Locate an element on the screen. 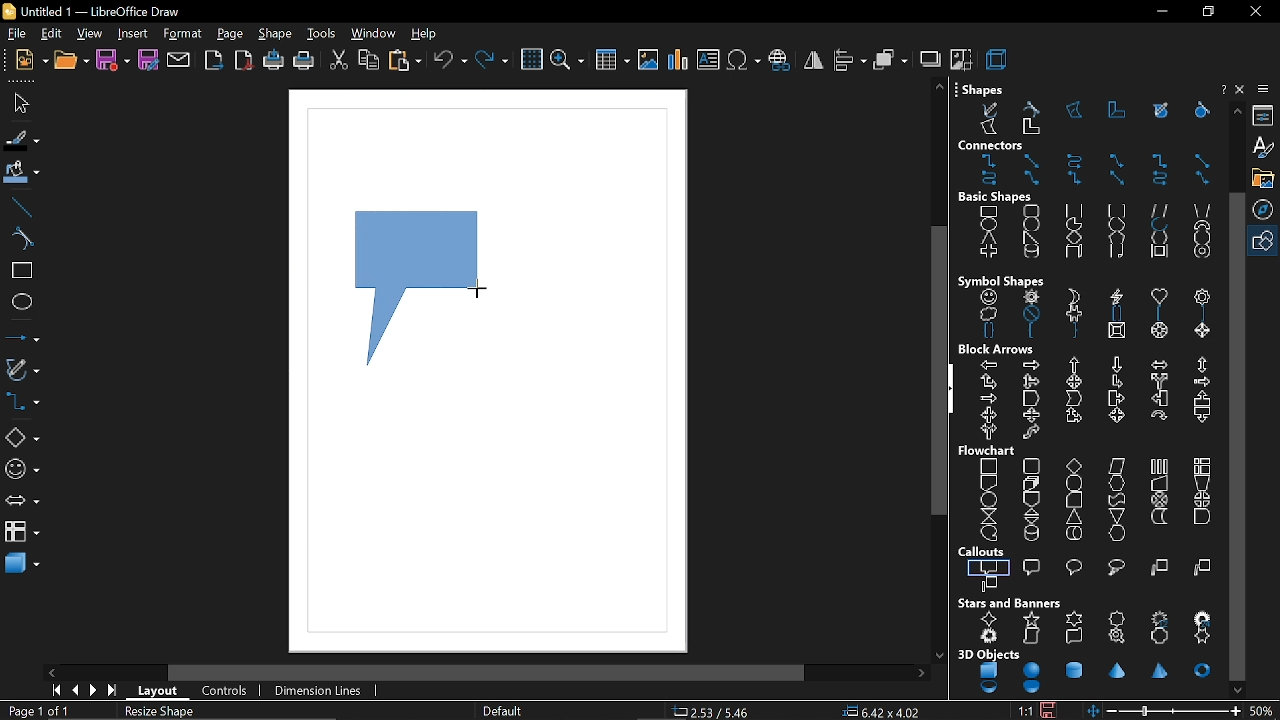  up and right arrow callout is located at coordinates (1073, 417).